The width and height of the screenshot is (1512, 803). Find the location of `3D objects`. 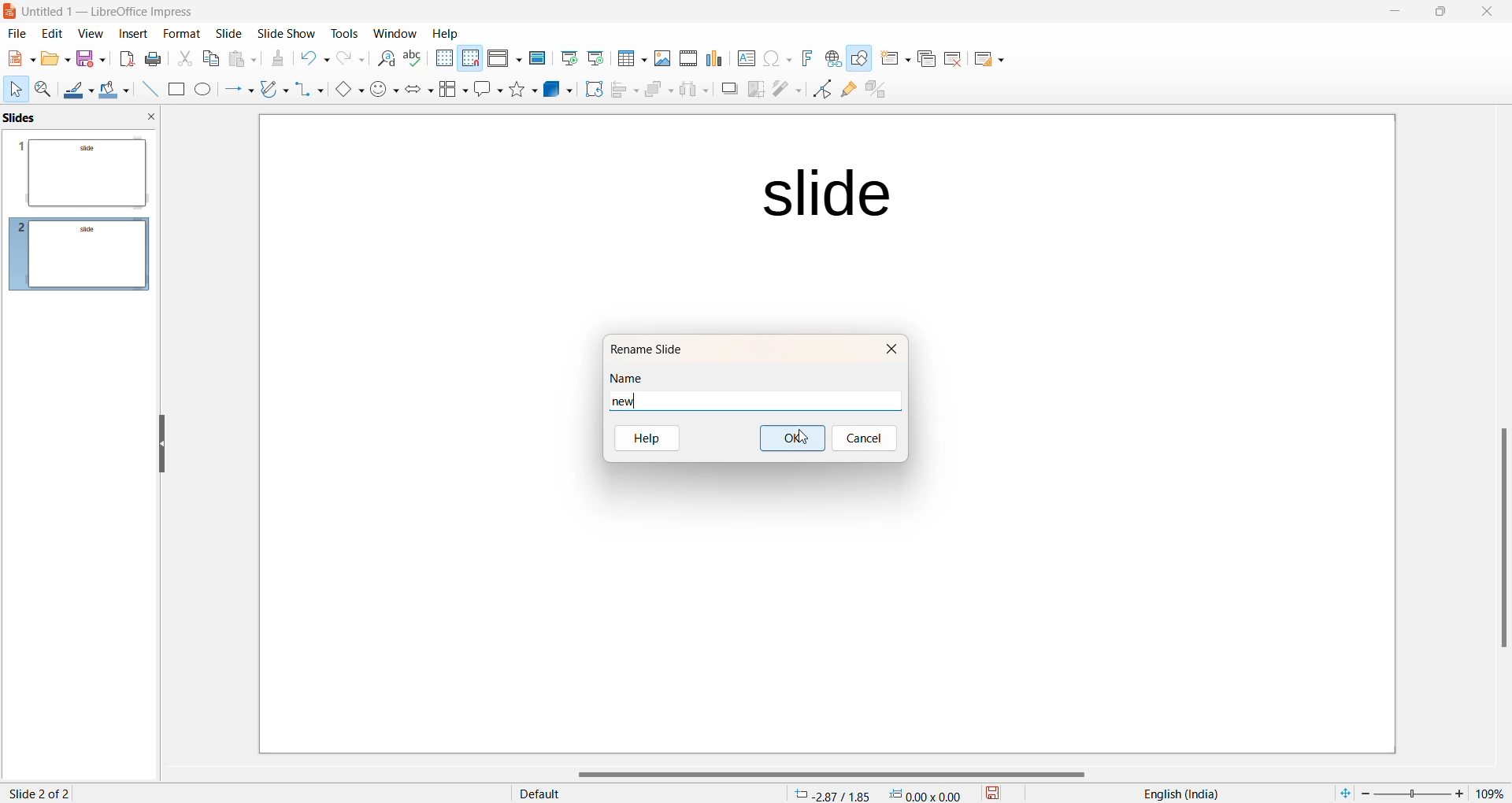

3D objects is located at coordinates (556, 91).